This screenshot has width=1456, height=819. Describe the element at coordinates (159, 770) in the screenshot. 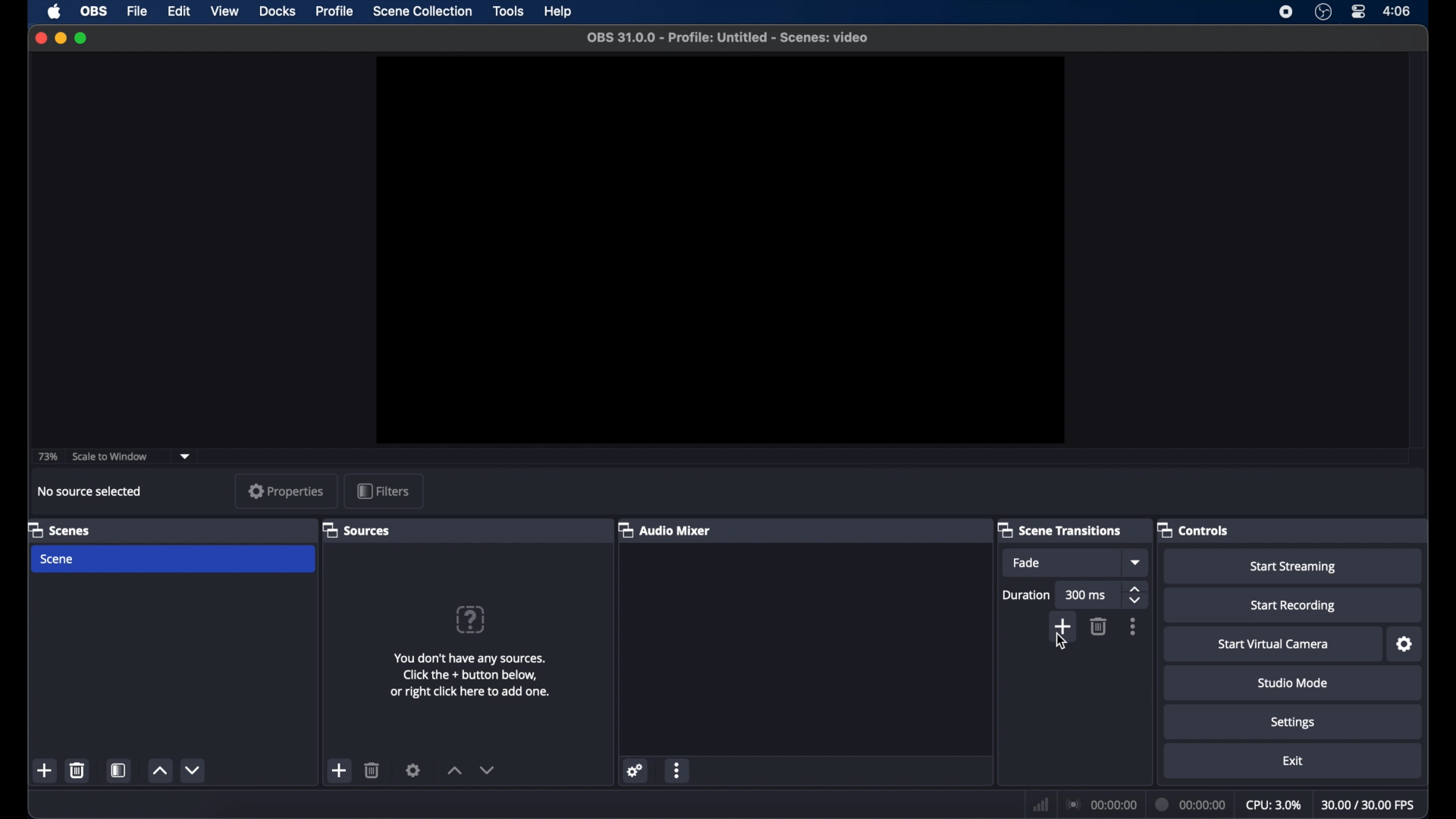

I see `increment` at that location.